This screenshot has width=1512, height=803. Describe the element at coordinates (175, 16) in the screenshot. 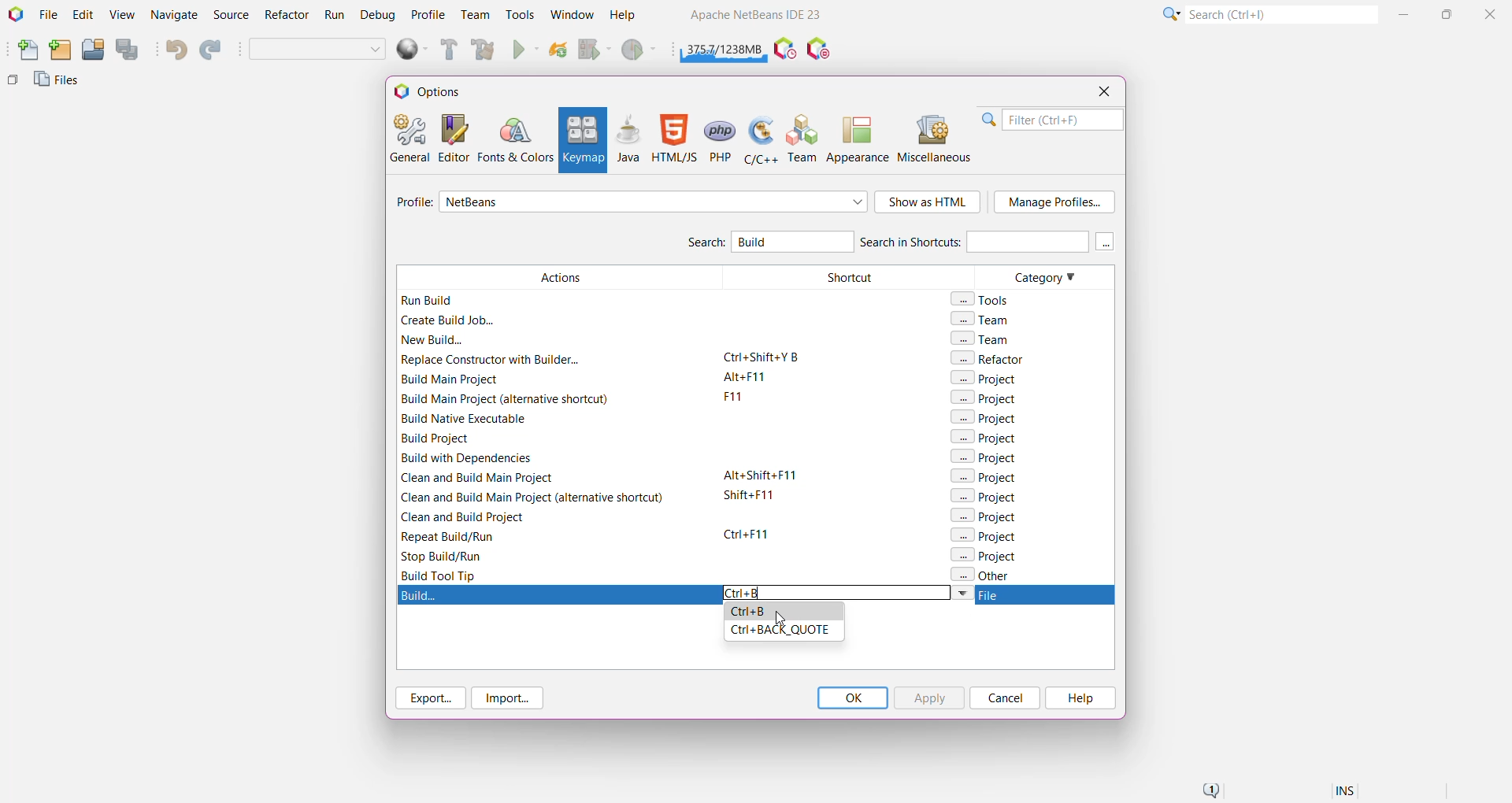

I see `Navigate` at that location.